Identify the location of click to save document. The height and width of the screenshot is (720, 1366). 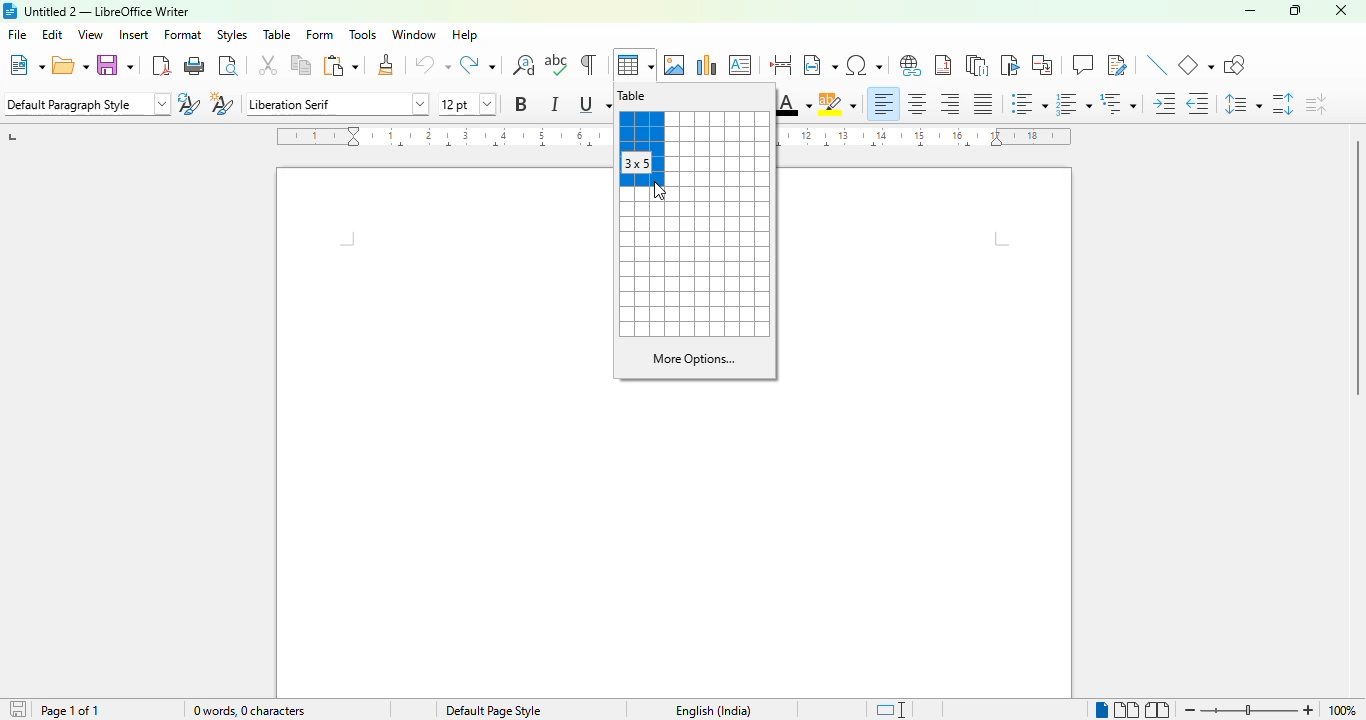
(19, 708).